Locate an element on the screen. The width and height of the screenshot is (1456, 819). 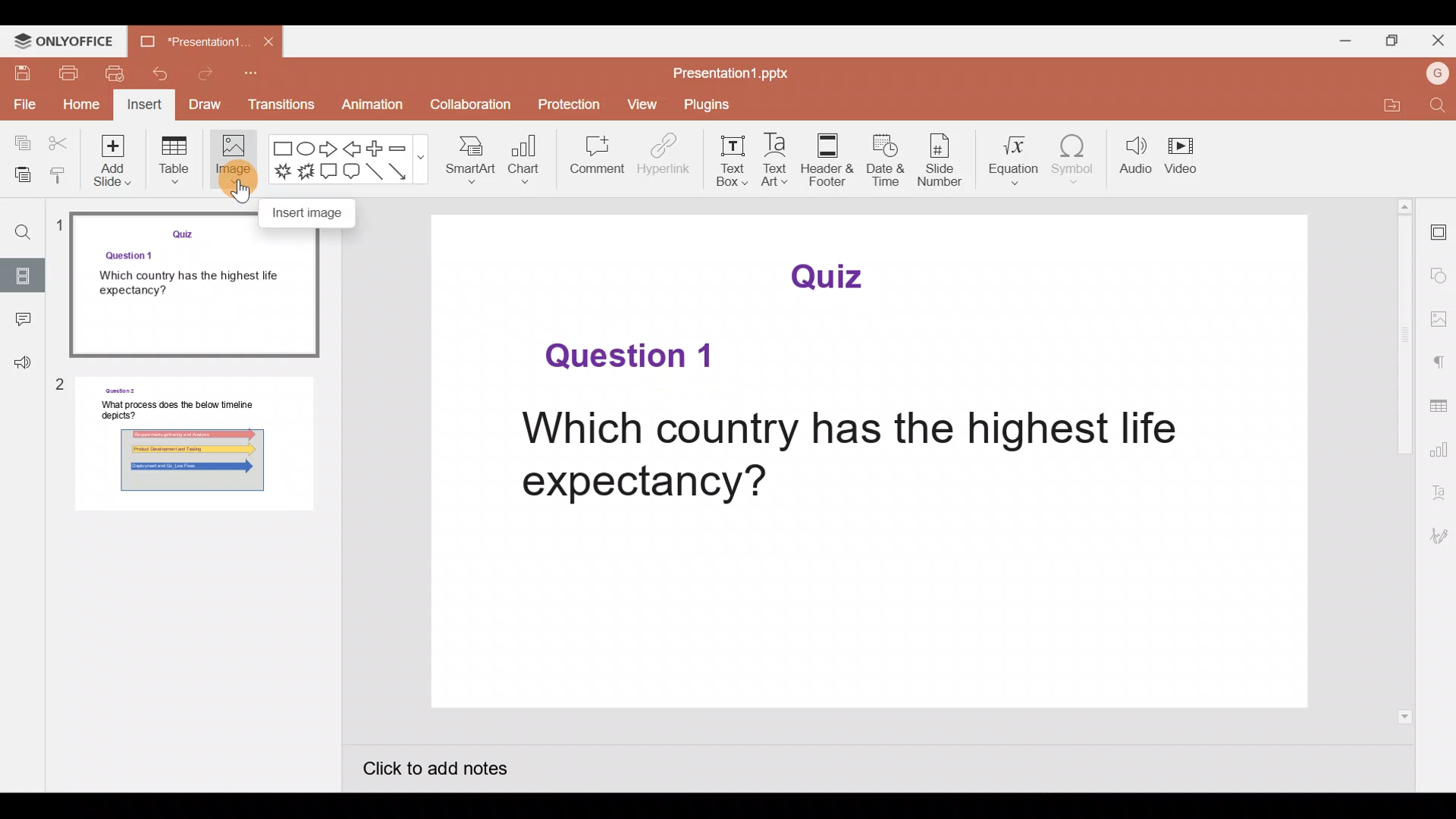
Chart settings is located at coordinates (1439, 450).